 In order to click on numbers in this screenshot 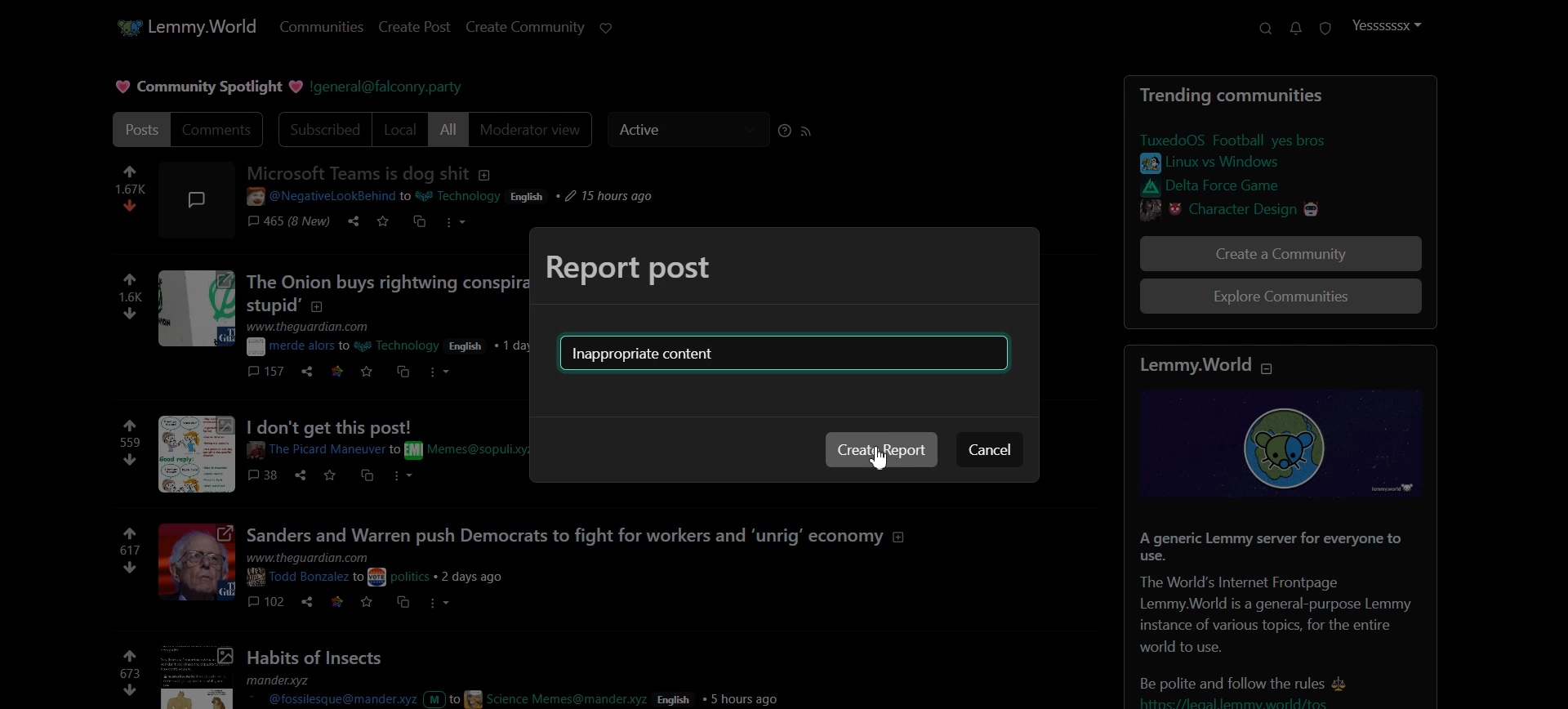, I will do `click(129, 675)`.